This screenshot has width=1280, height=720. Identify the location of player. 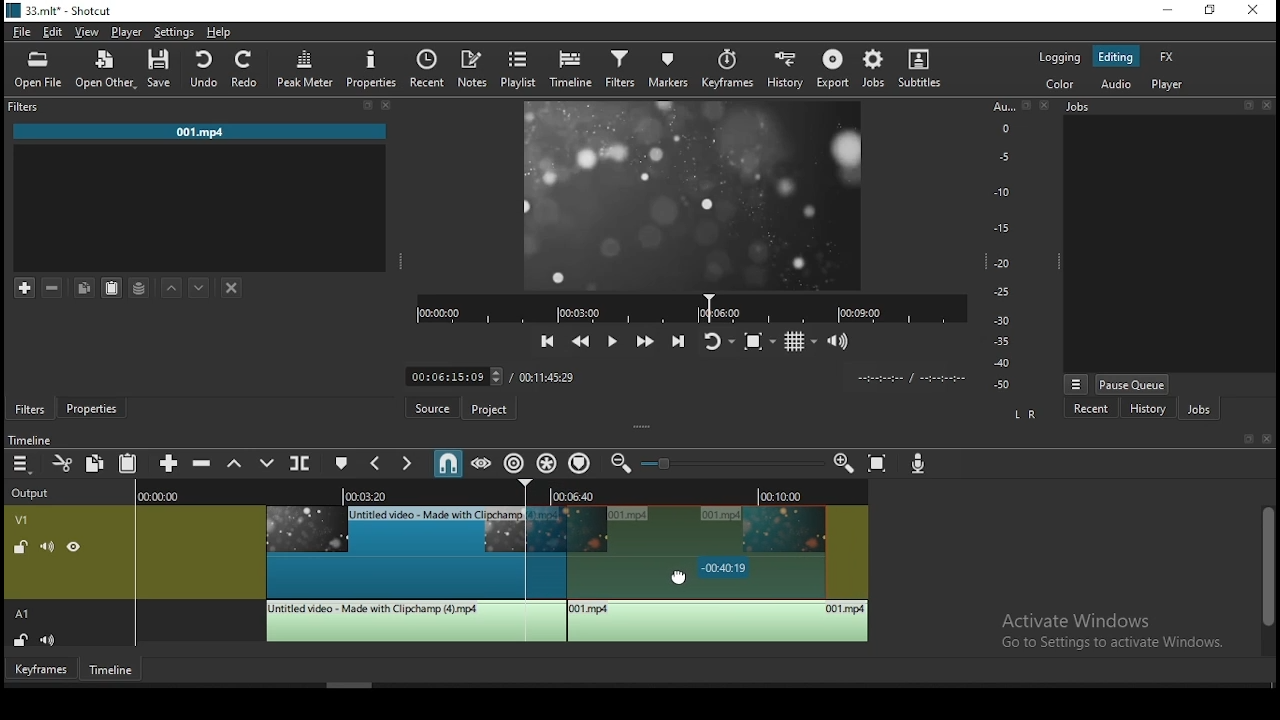
(1169, 85).